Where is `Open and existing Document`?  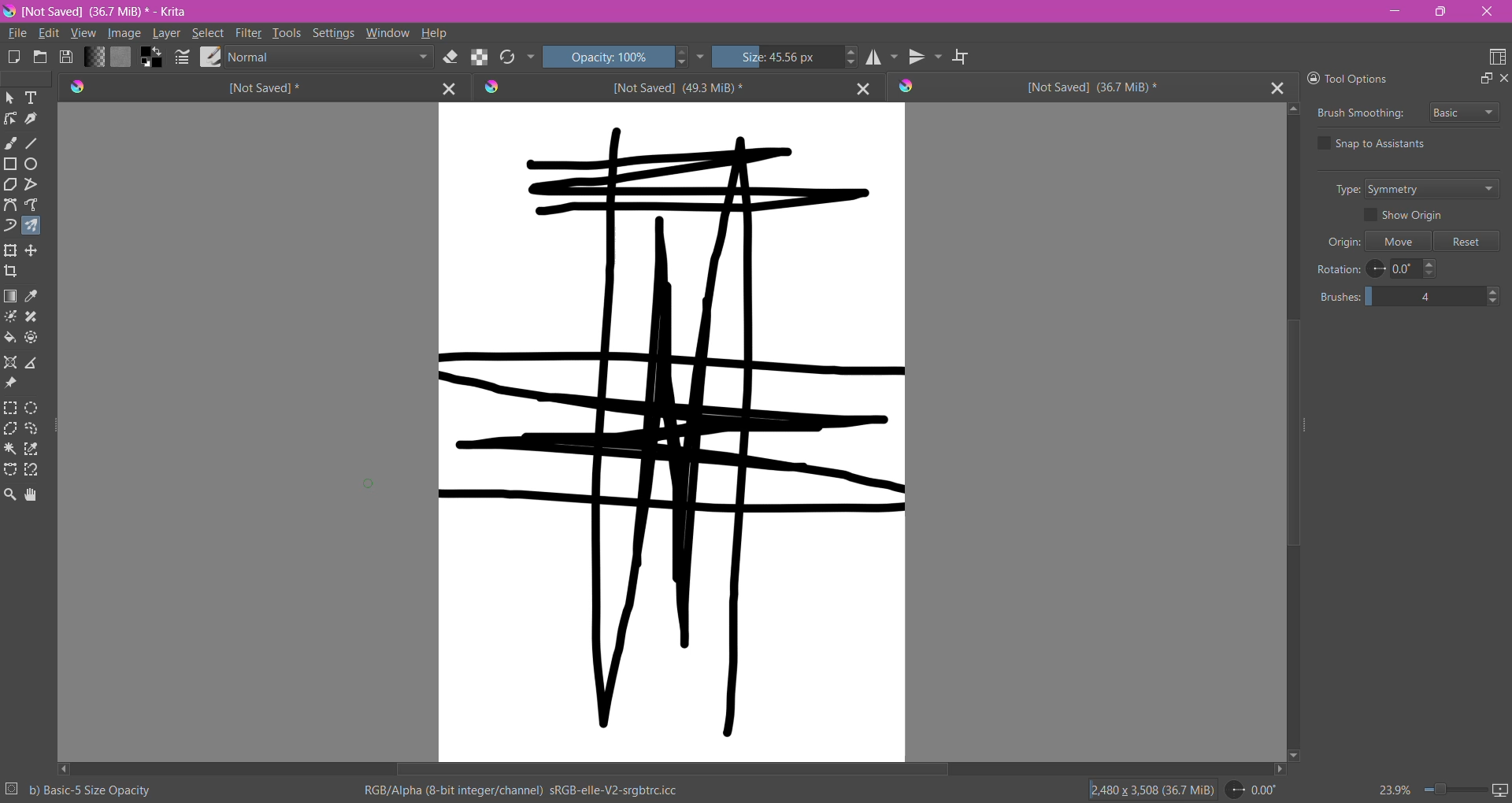 Open and existing Document is located at coordinates (40, 57).